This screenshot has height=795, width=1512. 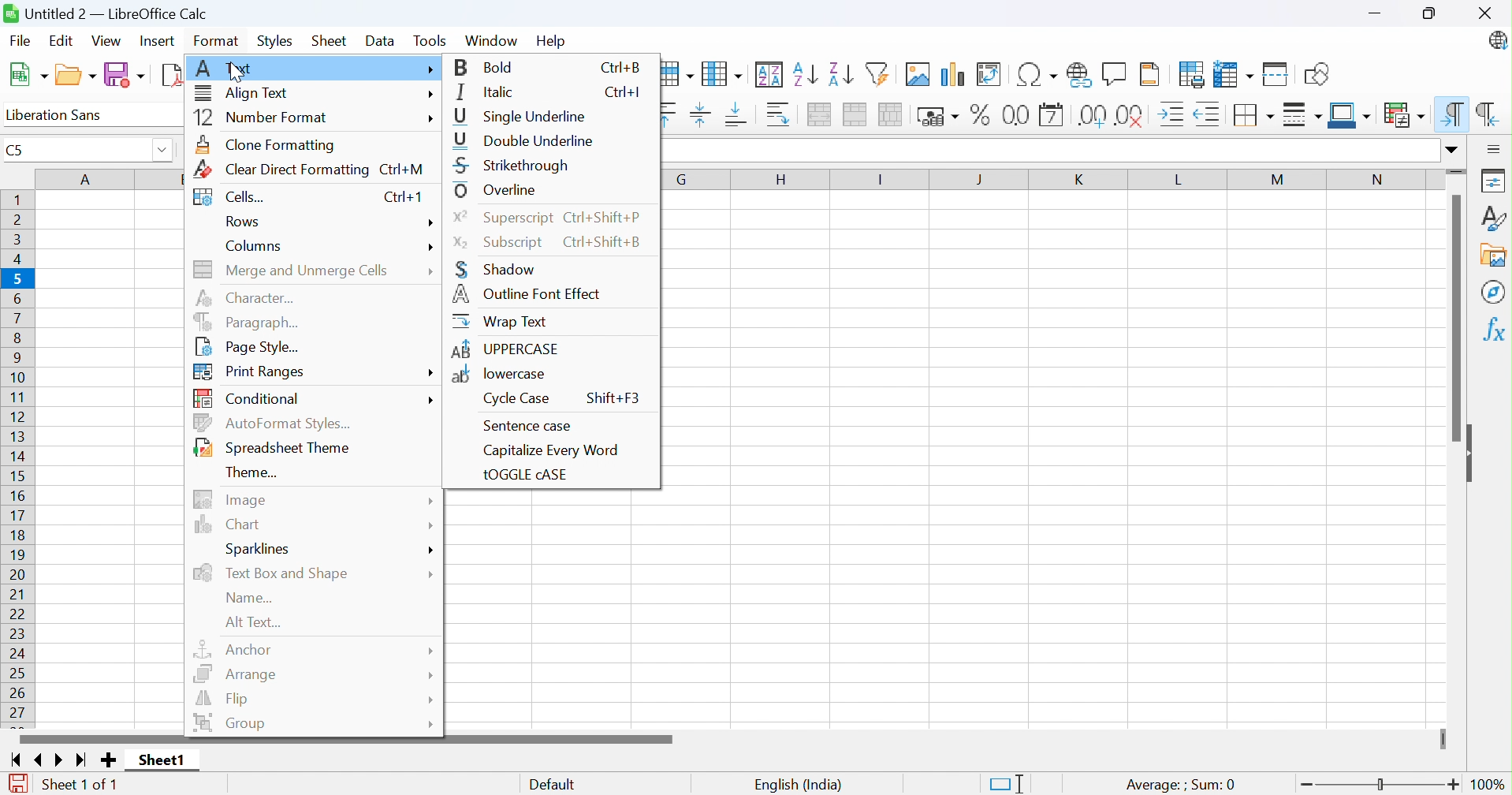 What do you see at coordinates (431, 267) in the screenshot?
I see `More` at bounding box center [431, 267].